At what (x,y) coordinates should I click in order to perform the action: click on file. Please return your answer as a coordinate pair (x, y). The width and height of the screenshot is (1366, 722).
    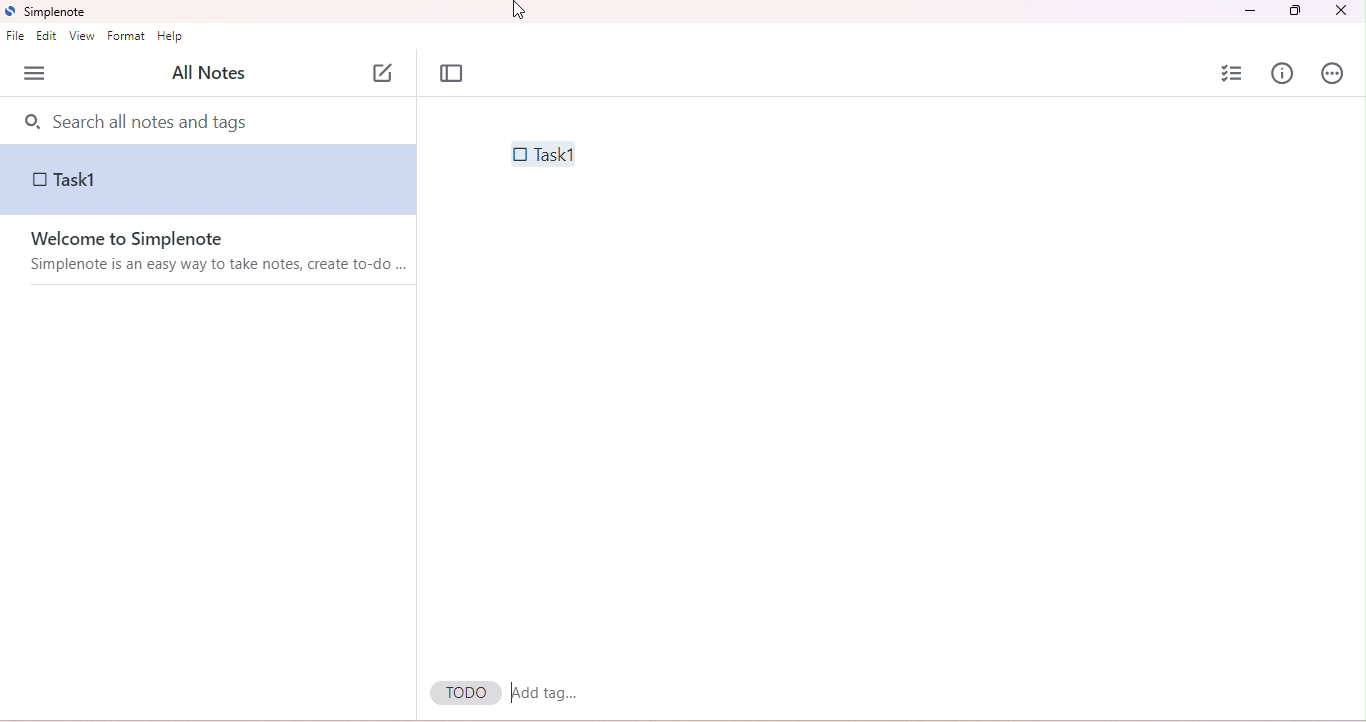
    Looking at the image, I should click on (15, 37).